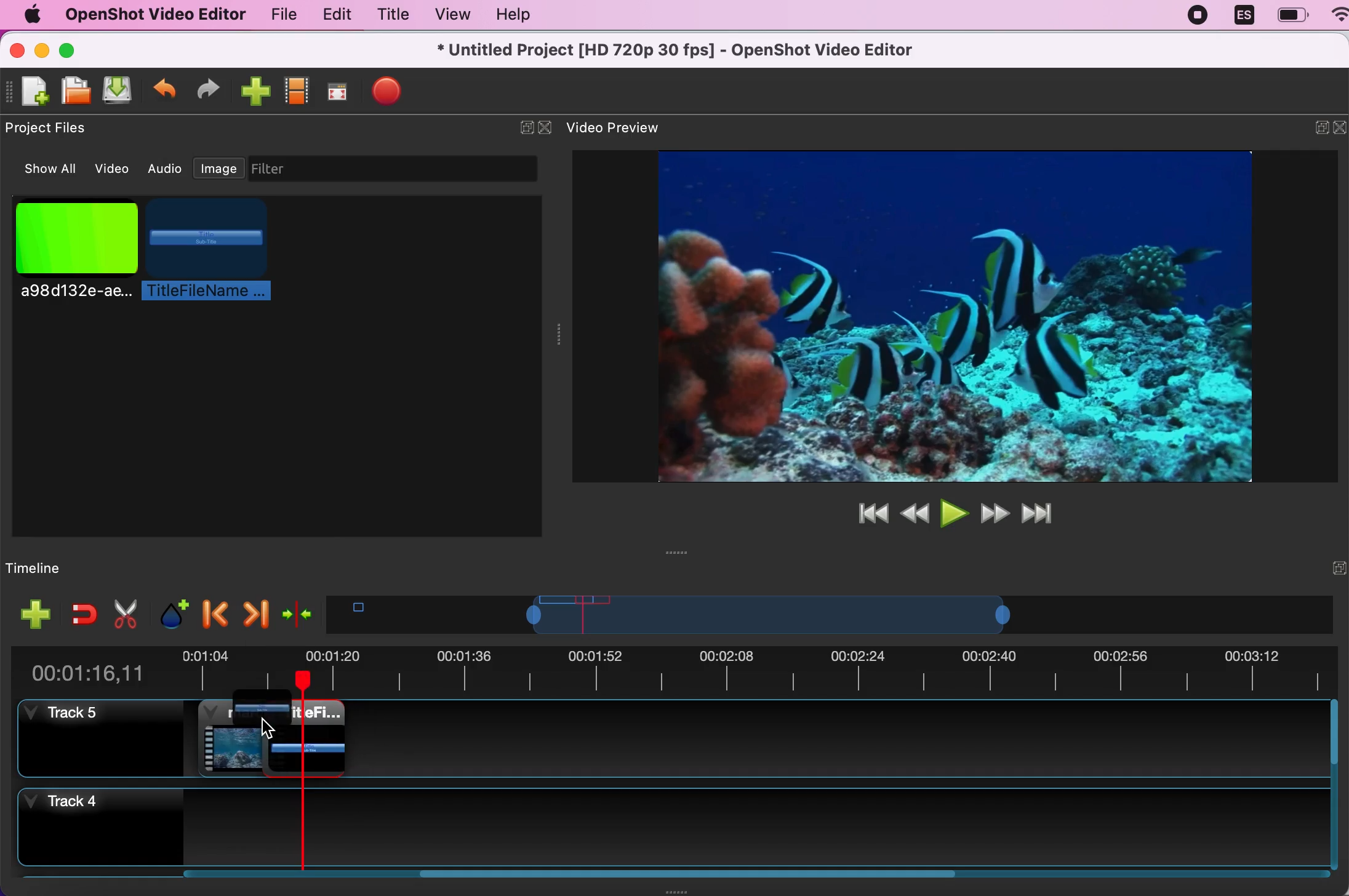 Image resolution: width=1349 pixels, height=896 pixels. What do you see at coordinates (827, 617) in the screenshot?
I see `timeline` at bounding box center [827, 617].